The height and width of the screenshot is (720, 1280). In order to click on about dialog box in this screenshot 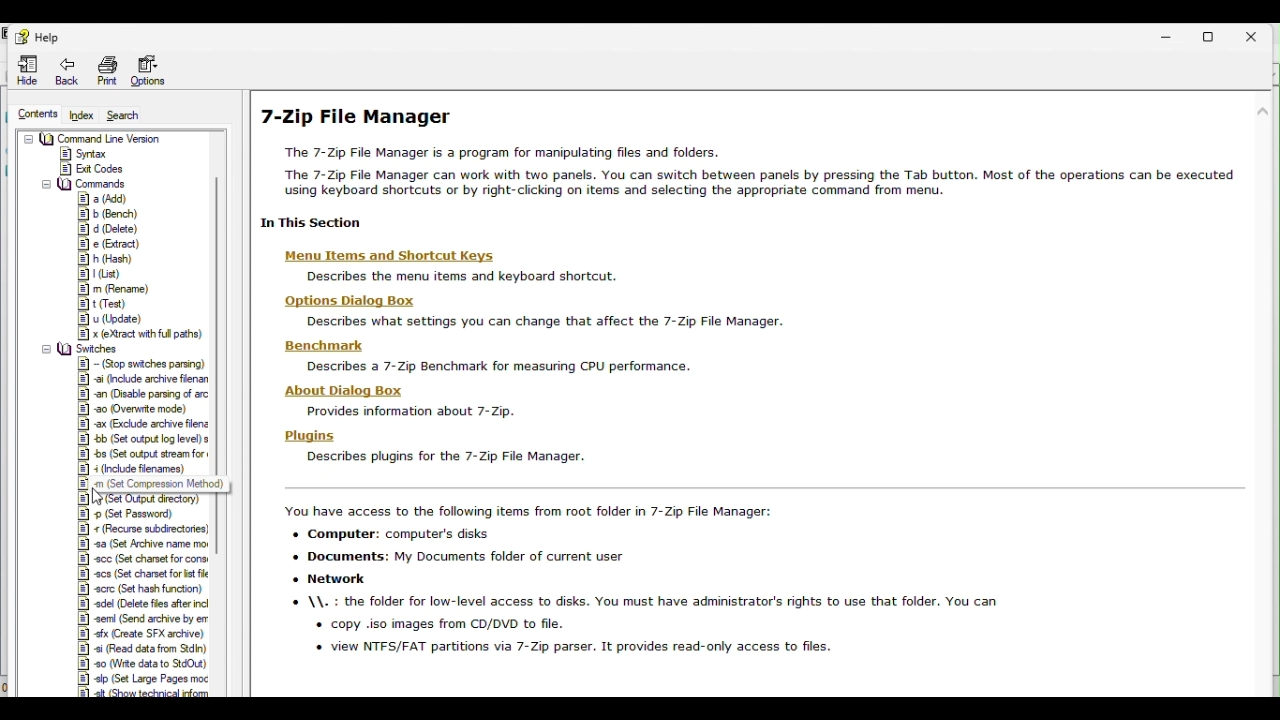, I will do `click(343, 390)`.